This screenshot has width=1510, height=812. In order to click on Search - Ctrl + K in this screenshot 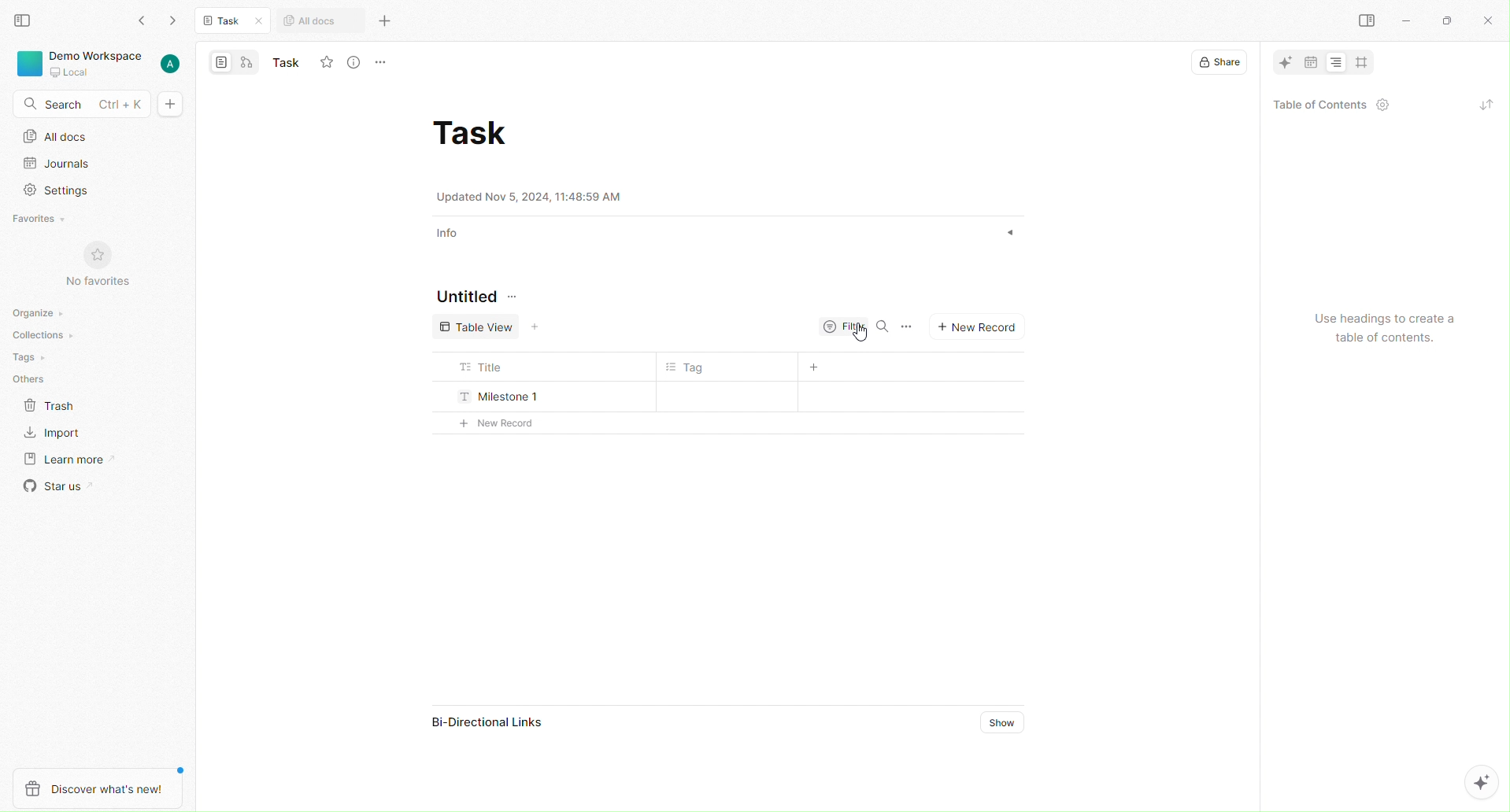, I will do `click(80, 103)`.